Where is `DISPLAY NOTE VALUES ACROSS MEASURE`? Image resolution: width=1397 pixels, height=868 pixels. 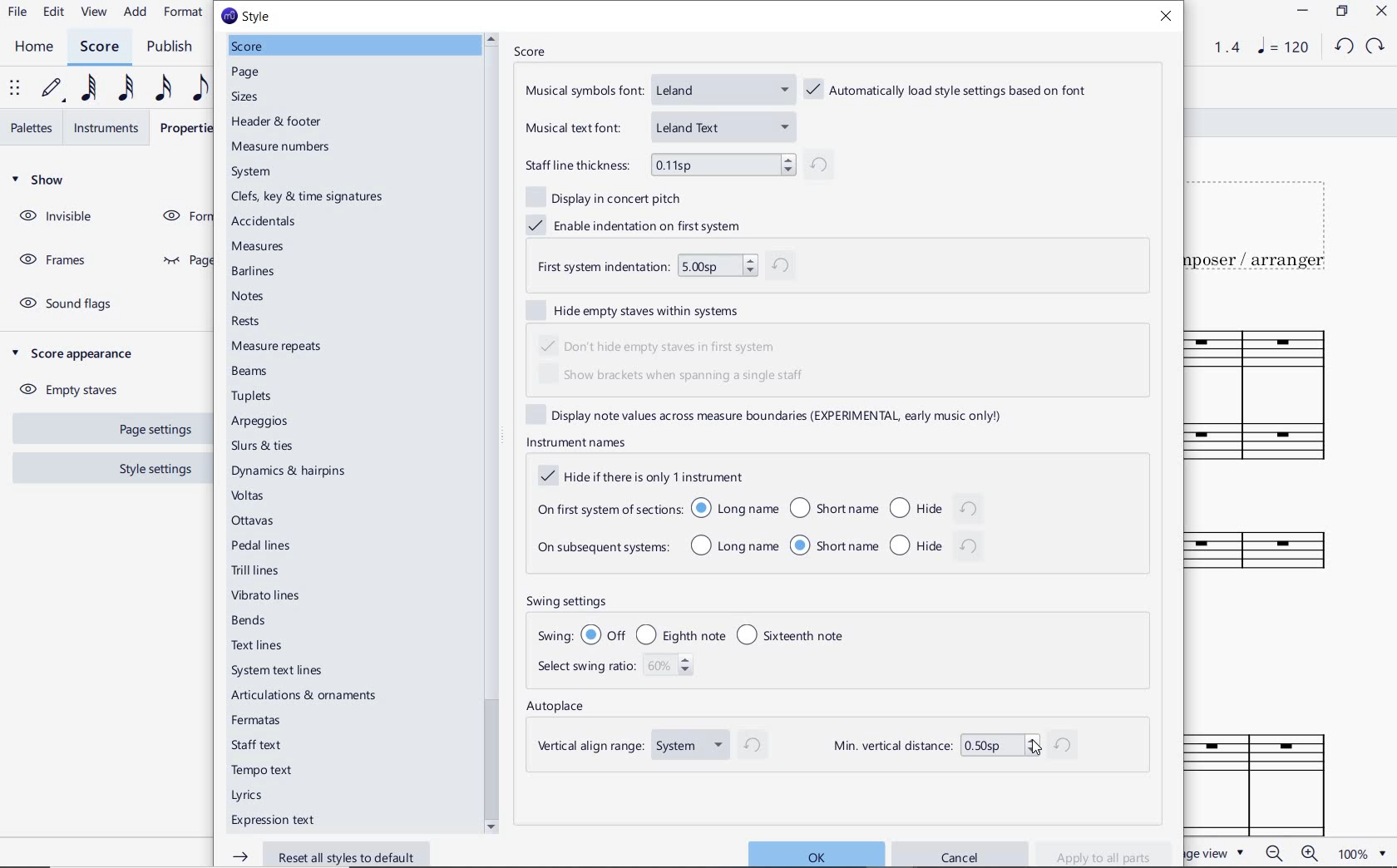 DISPLAY NOTE VALUES ACROSS MEASURE is located at coordinates (775, 415).